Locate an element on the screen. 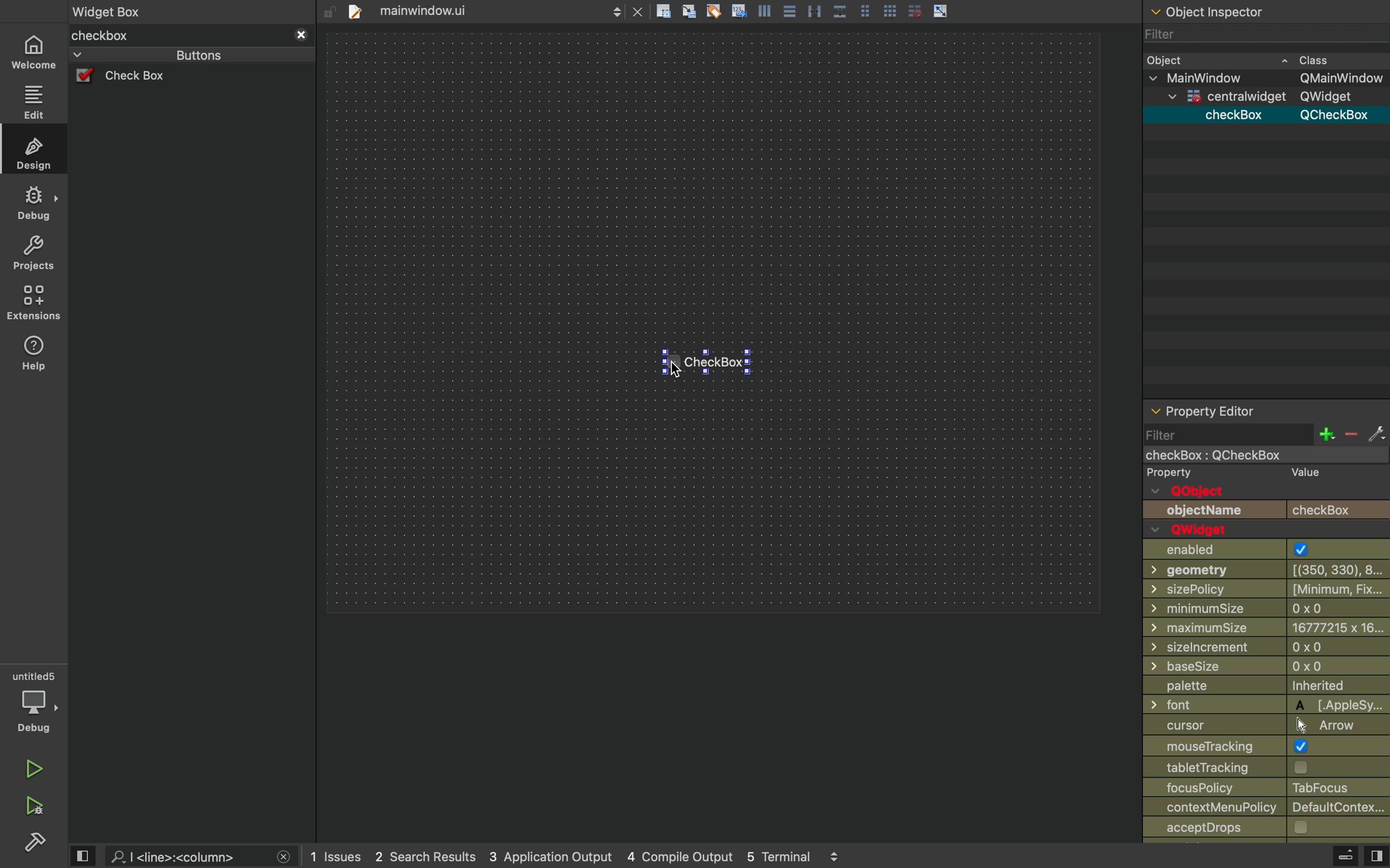 The height and width of the screenshot is (868, 1390). check box is located at coordinates (142, 77).